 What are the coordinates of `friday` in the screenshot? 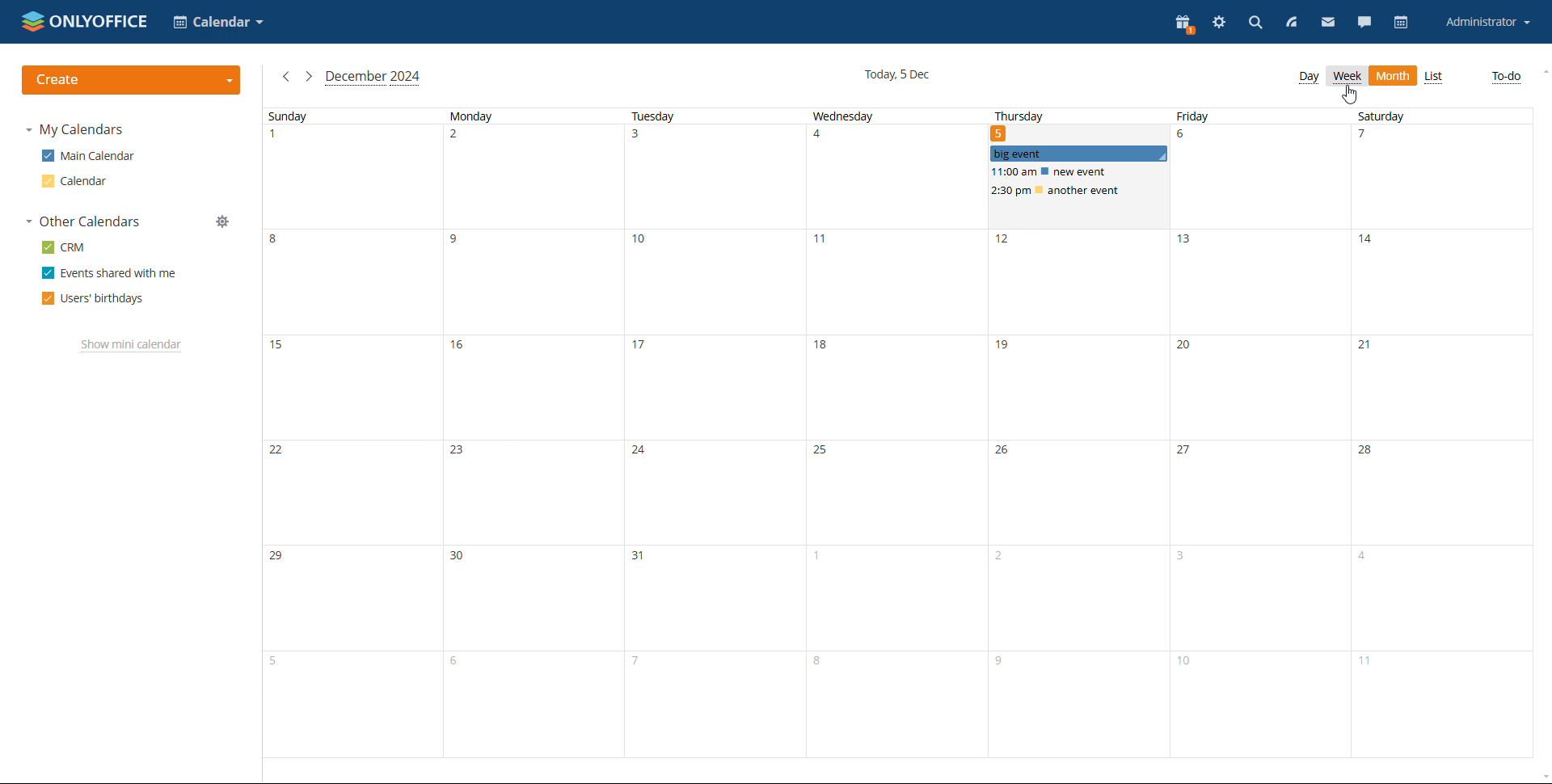 It's located at (1255, 435).